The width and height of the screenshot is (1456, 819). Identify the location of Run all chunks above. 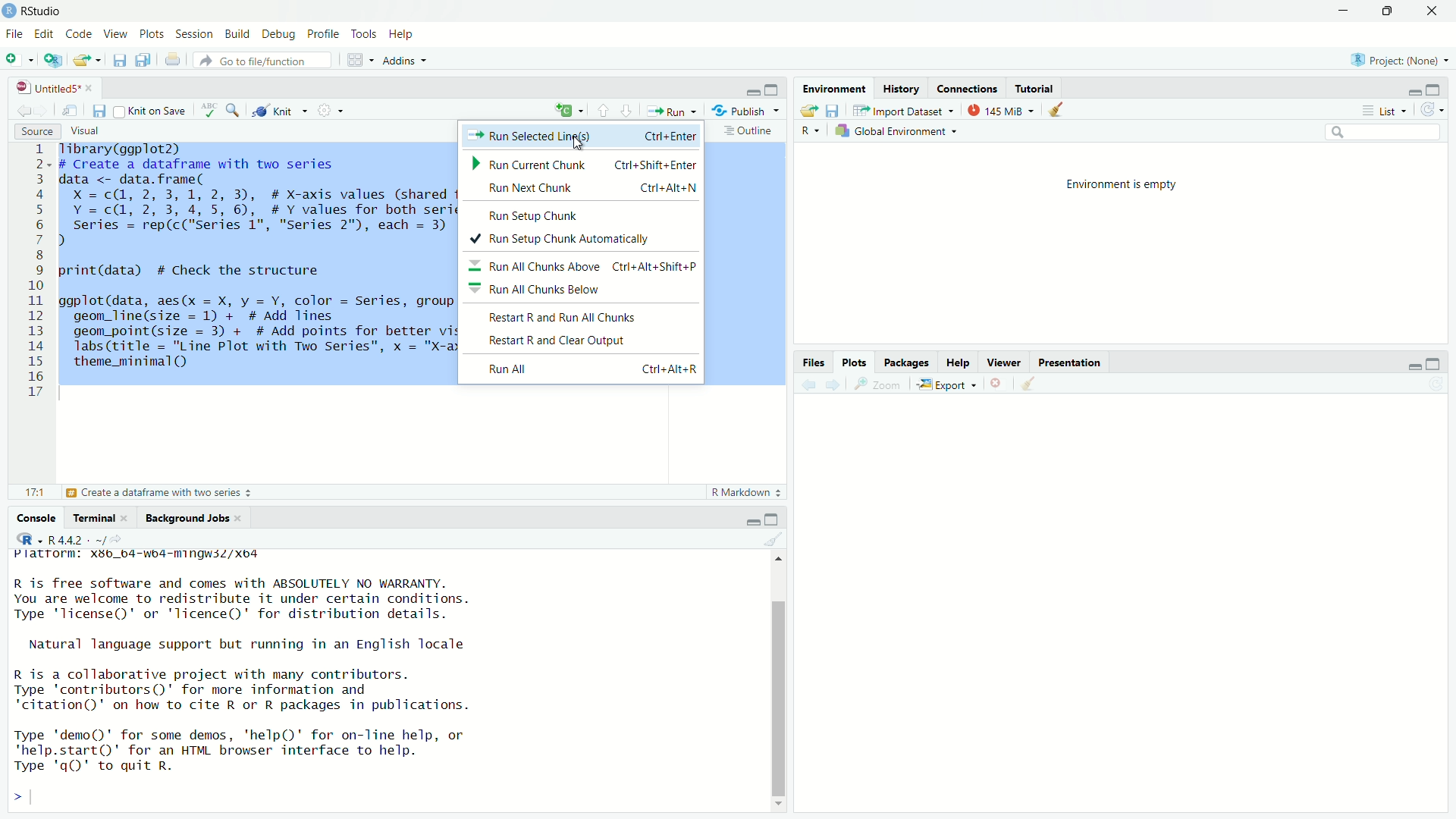
(583, 266).